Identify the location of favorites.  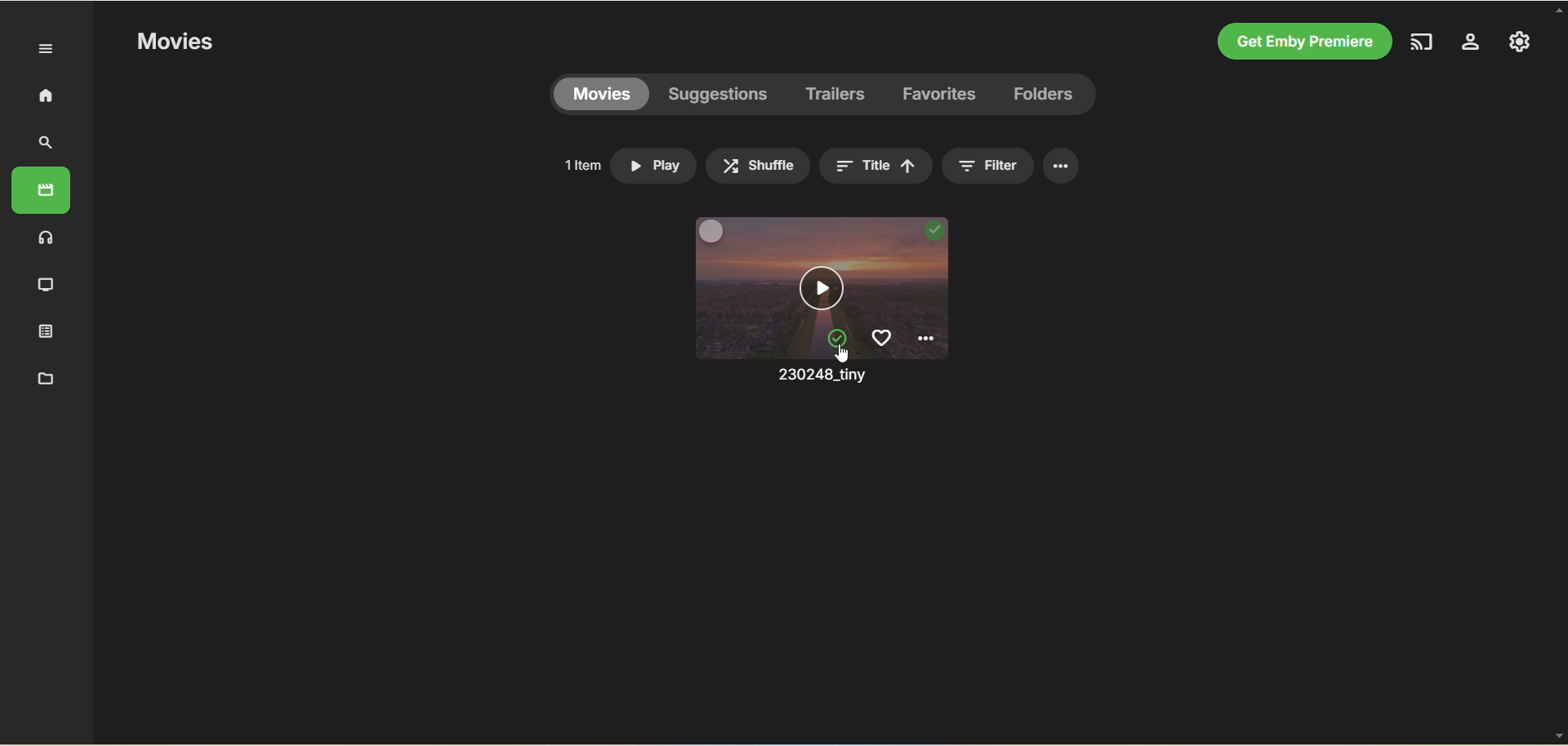
(881, 338).